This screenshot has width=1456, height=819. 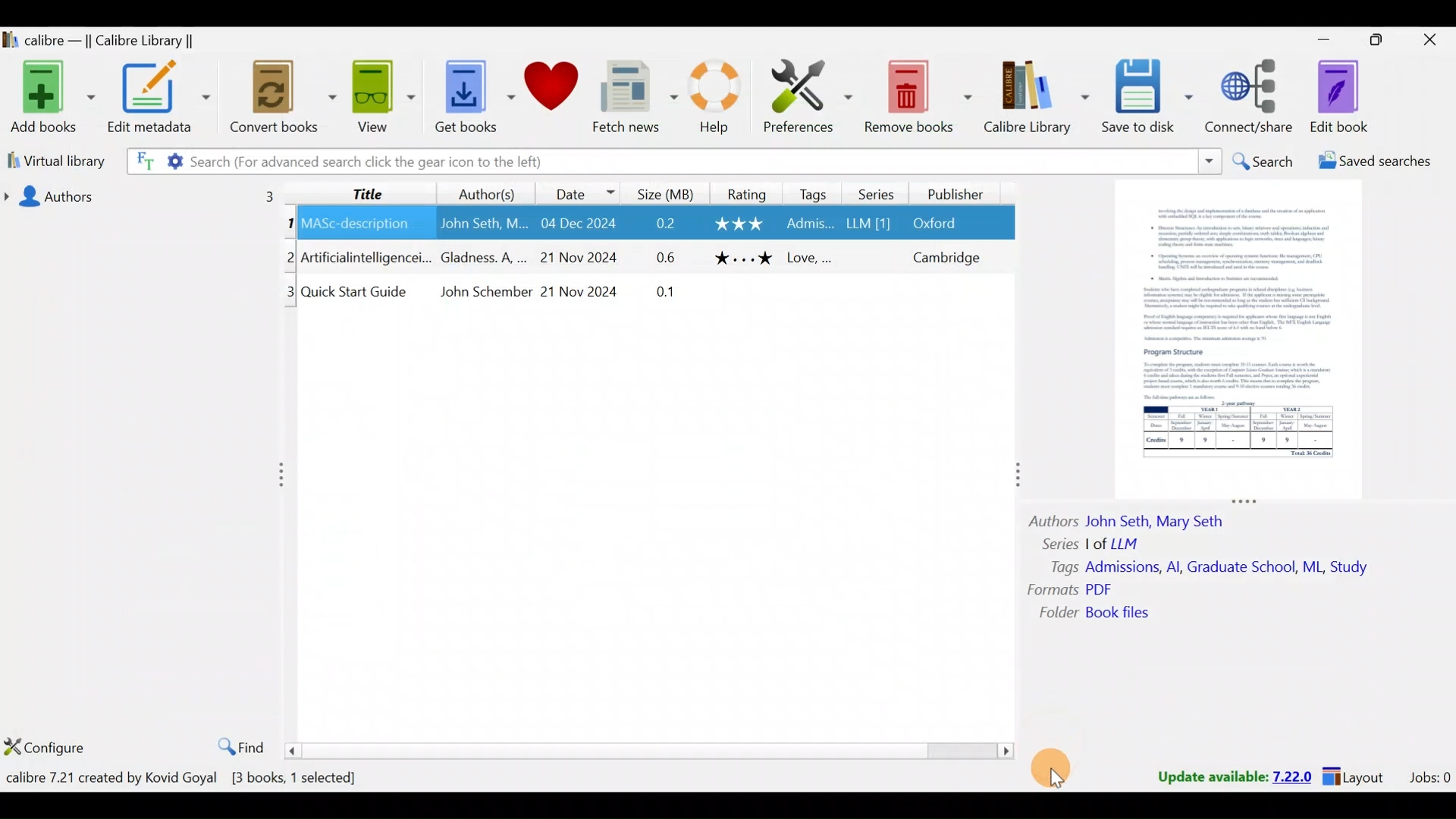 I want to click on , so click(x=1230, y=566).